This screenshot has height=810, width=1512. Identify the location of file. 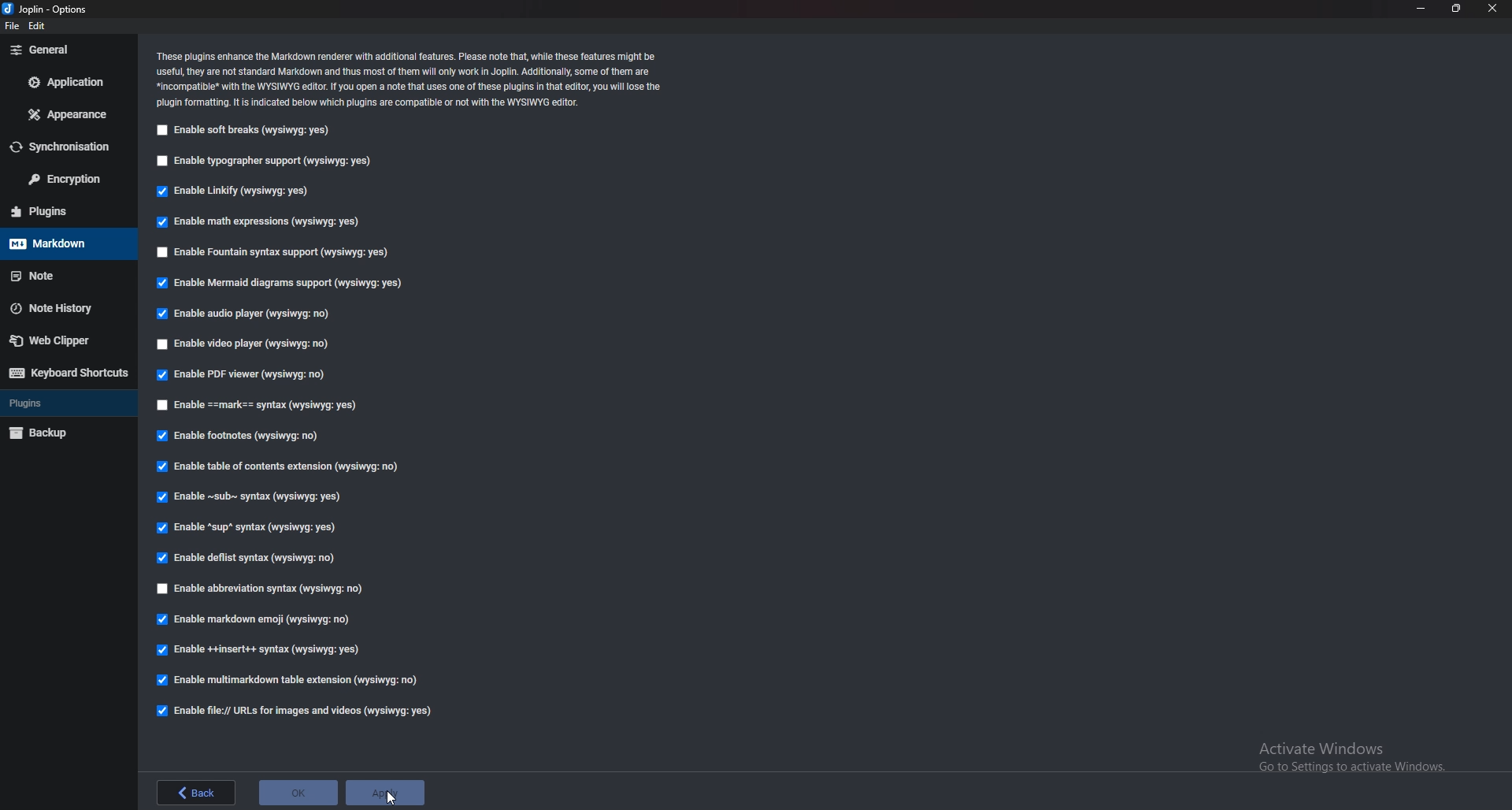
(14, 25).